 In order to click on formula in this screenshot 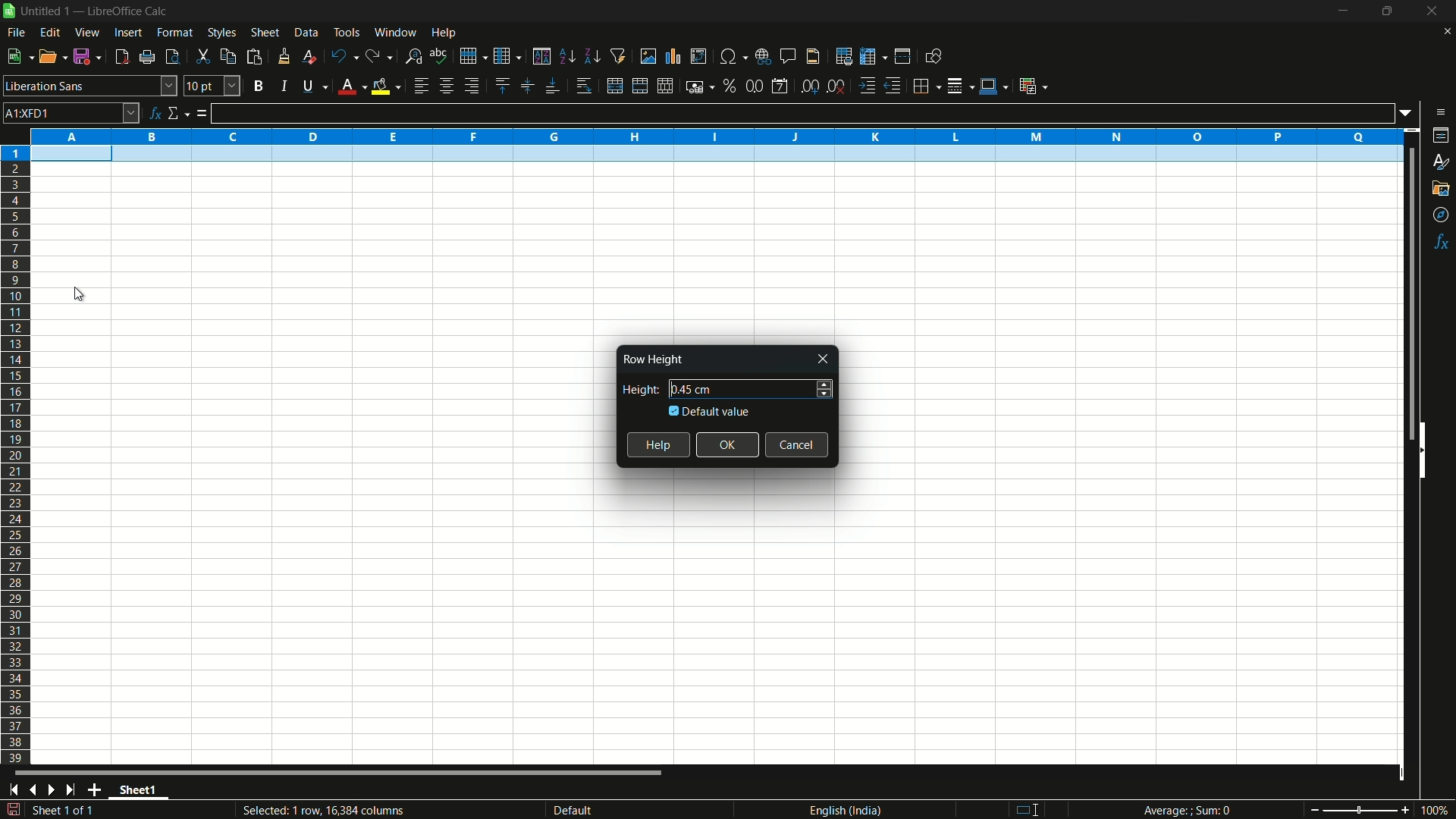, I will do `click(202, 115)`.